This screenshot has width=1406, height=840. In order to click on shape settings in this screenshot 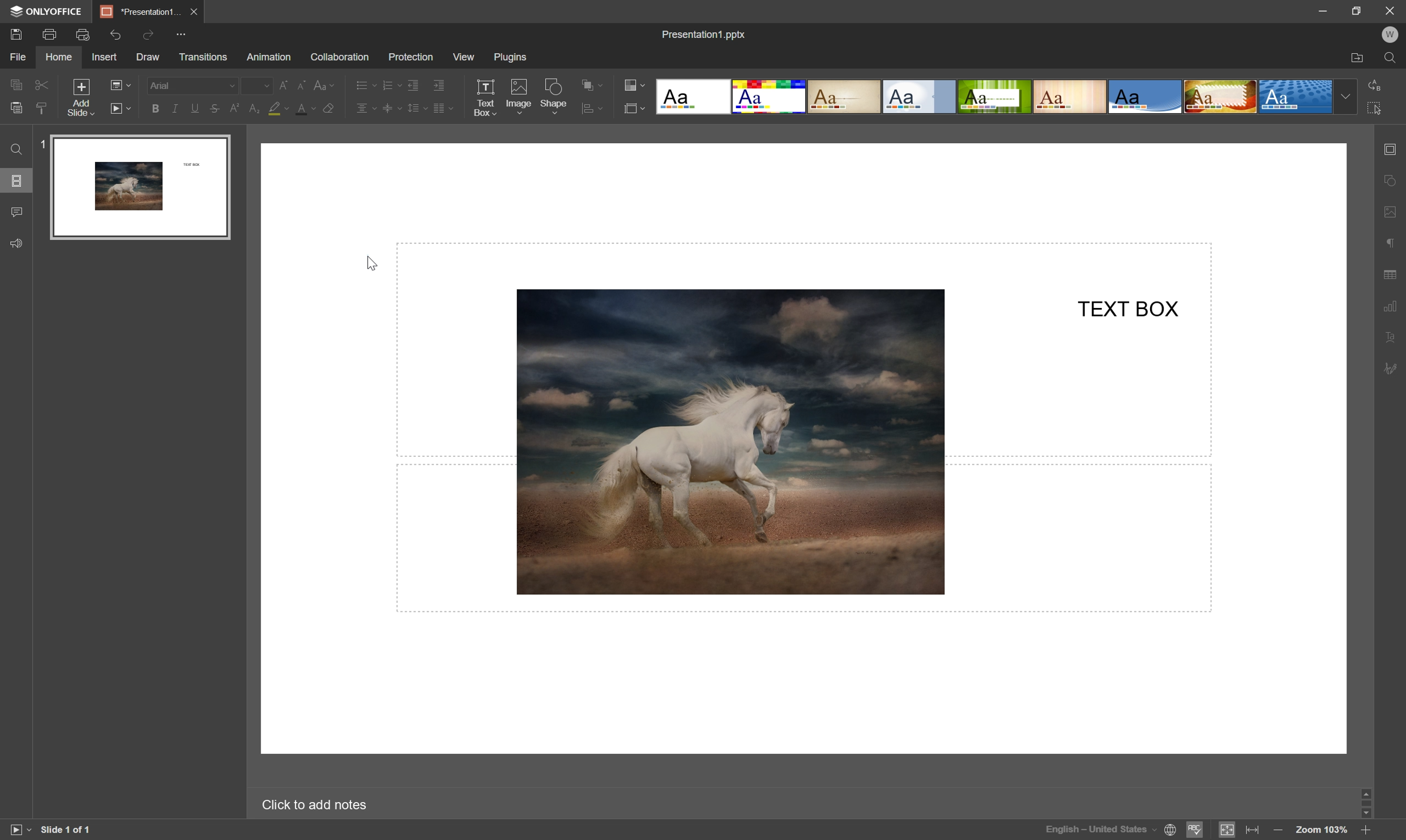, I will do `click(1391, 181)`.